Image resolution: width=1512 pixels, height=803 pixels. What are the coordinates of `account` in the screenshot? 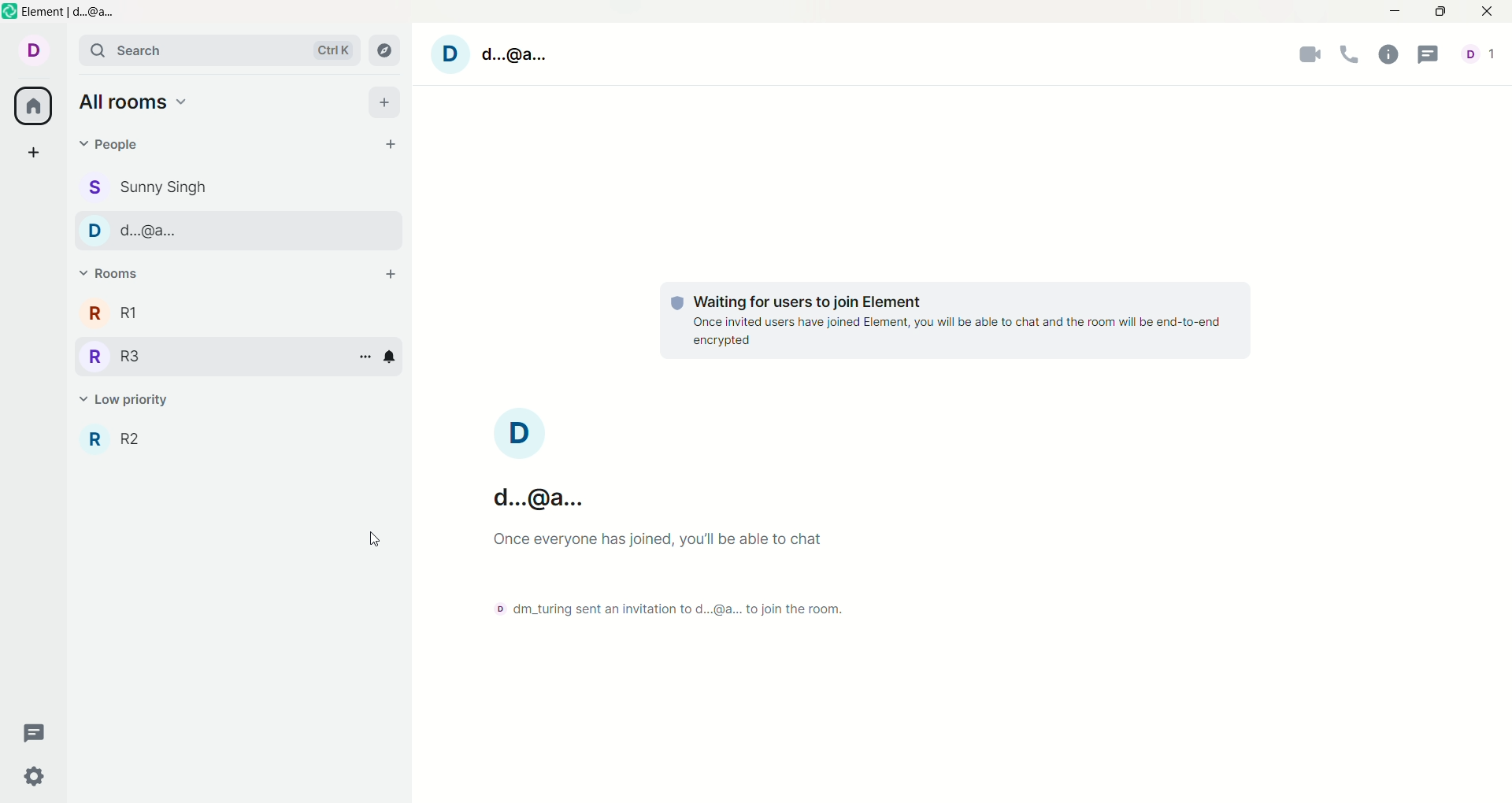 It's located at (1478, 56).